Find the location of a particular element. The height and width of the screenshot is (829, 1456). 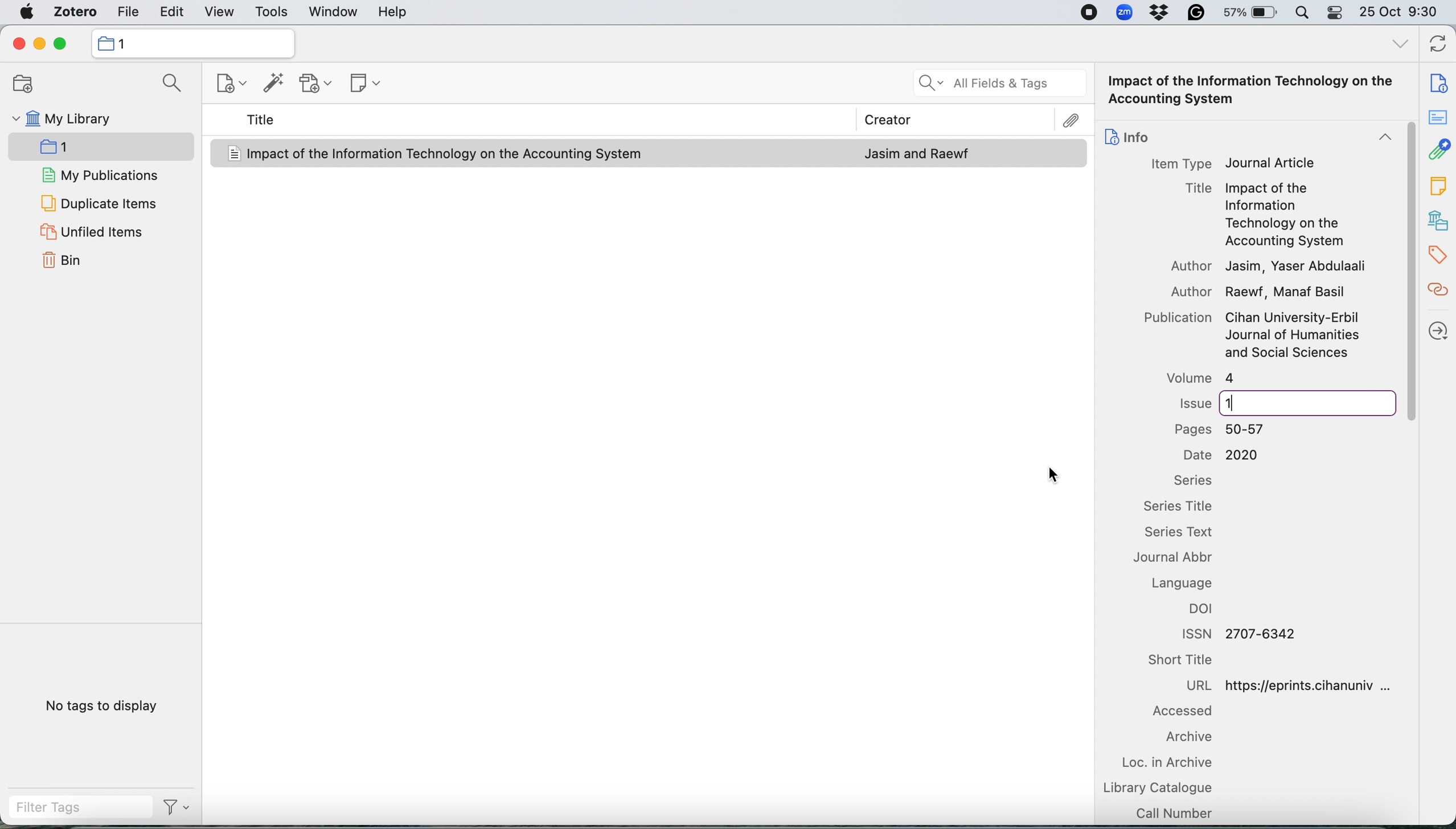

collection is located at coordinates (193, 43).